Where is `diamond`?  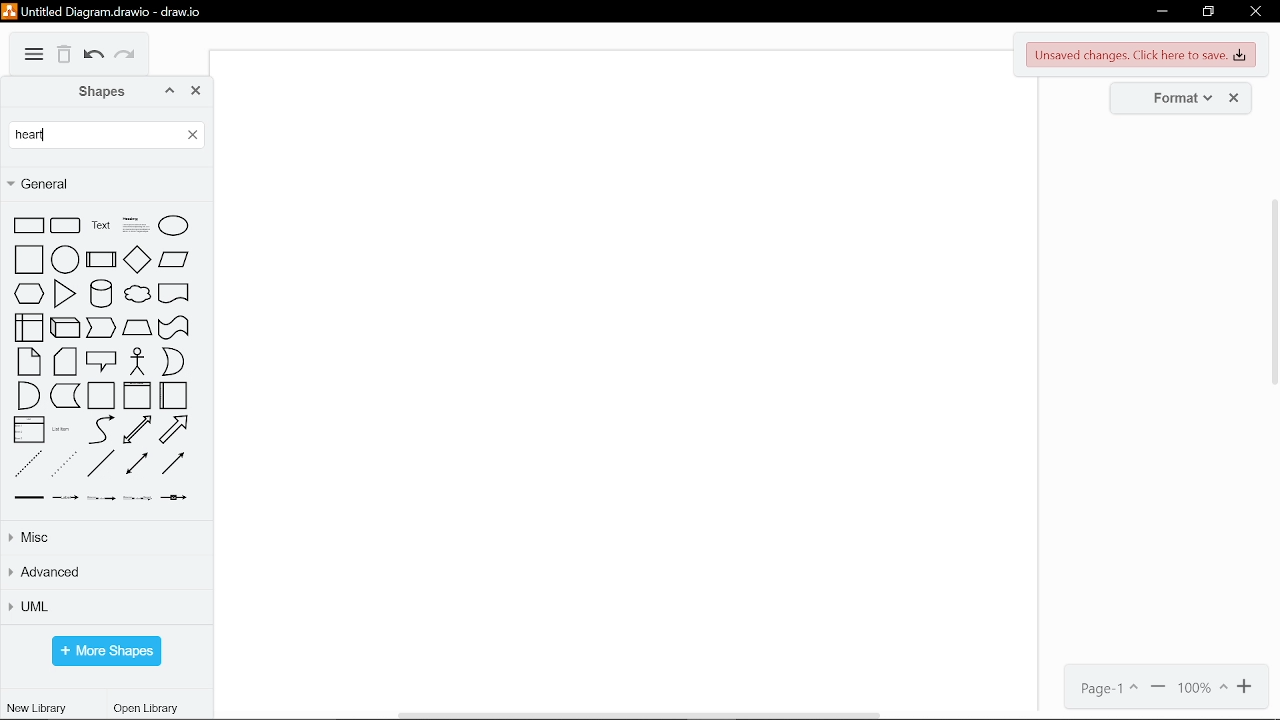 diamond is located at coordinates (136, 259).